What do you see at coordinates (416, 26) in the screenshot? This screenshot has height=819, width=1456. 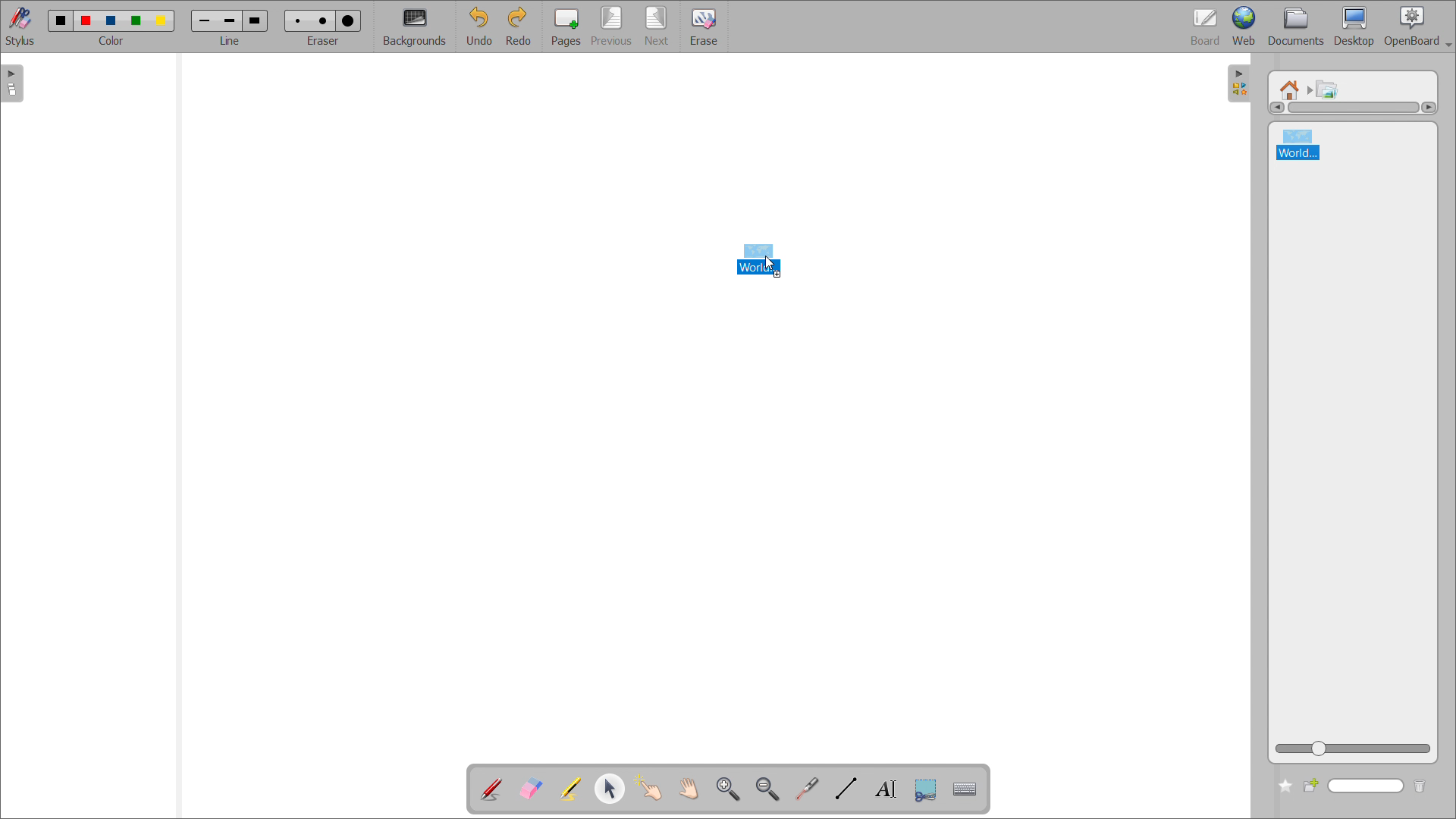 I see `backgrounds` at bounding box center [416, 26].